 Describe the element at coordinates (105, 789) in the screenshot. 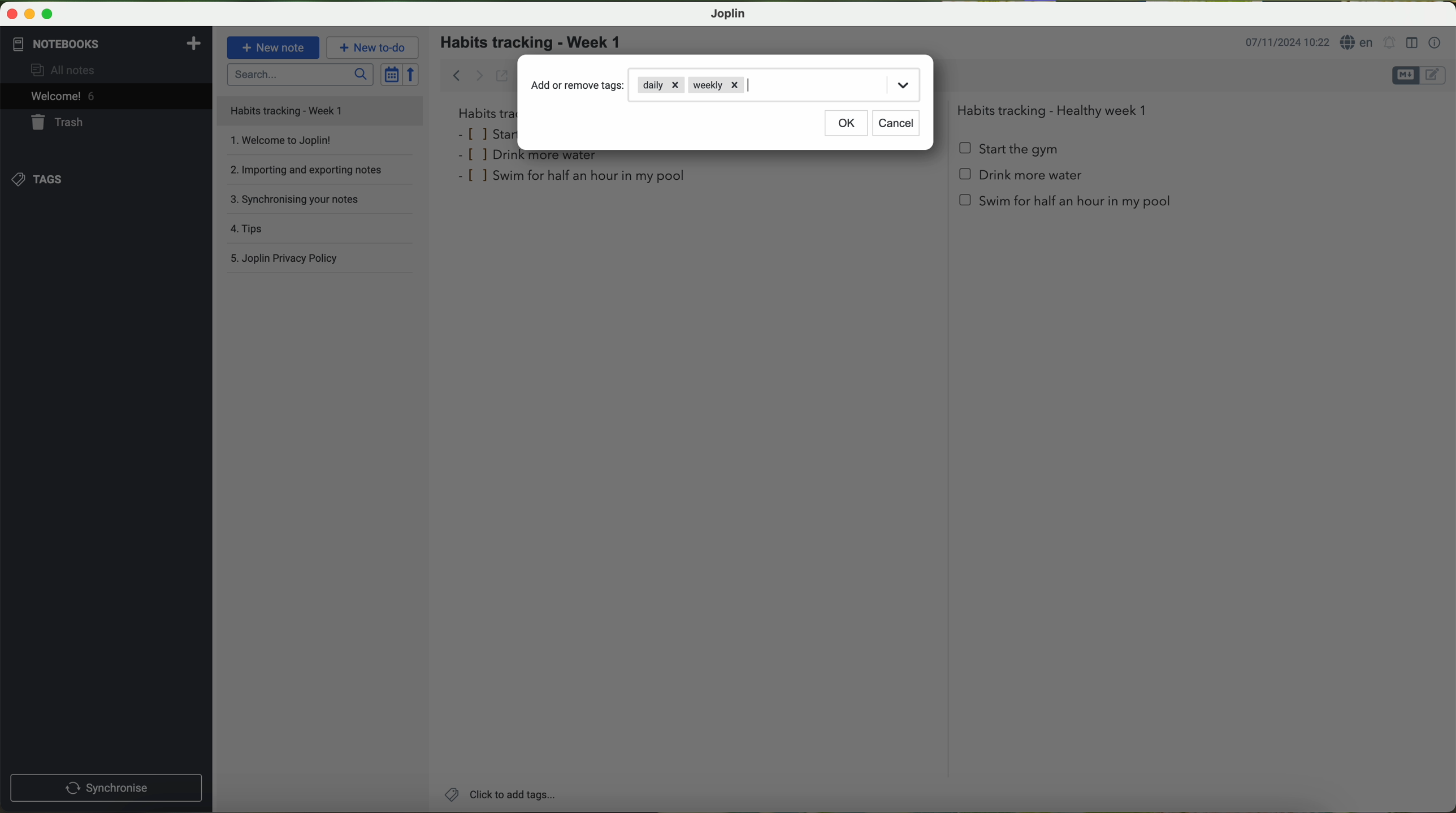

I see `synchronnise button` at that location.